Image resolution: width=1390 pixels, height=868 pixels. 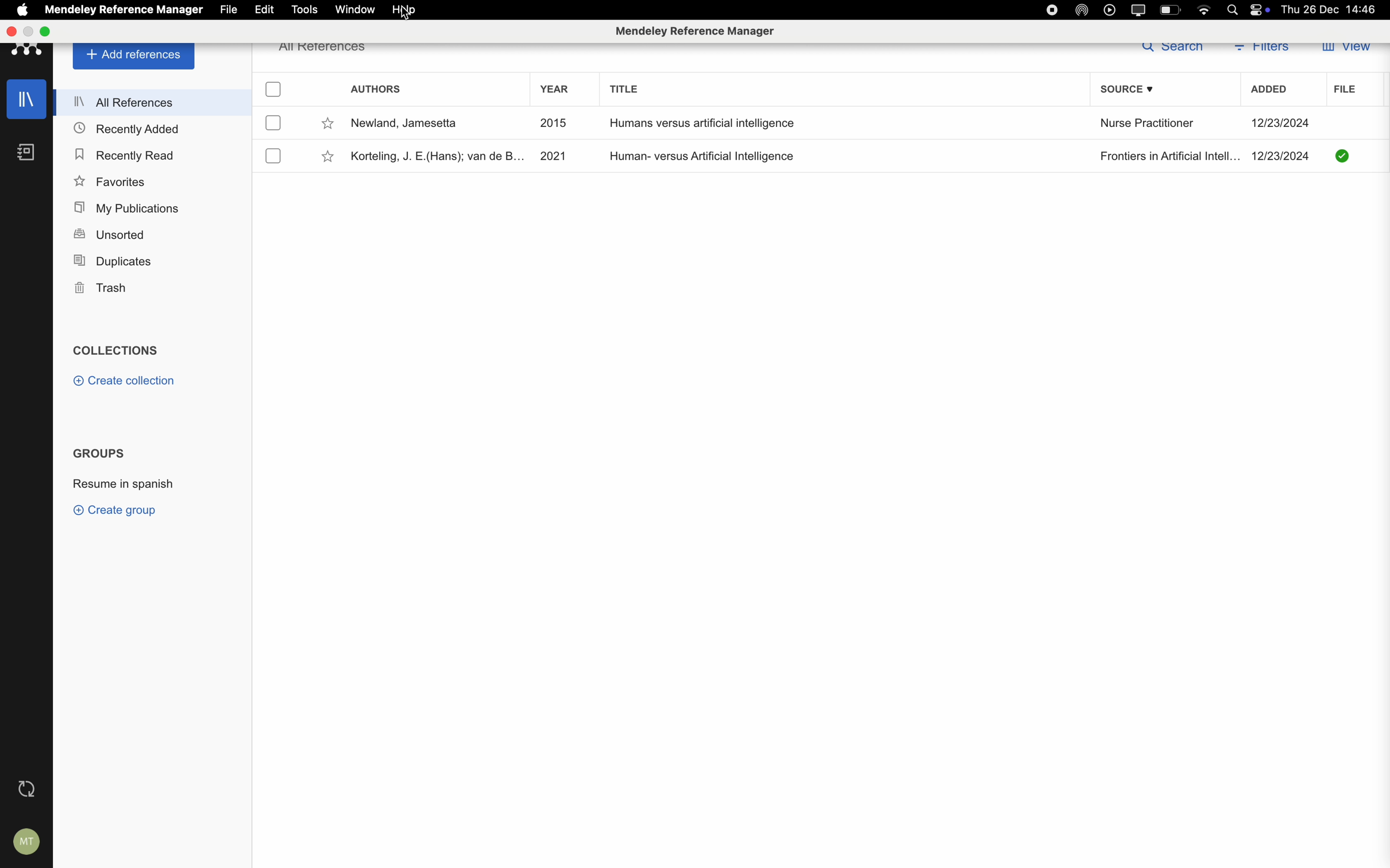 What do you see at coordinates (130, 208) in the screenshot?
I see `My Publications` at bounding box center [130, 208].